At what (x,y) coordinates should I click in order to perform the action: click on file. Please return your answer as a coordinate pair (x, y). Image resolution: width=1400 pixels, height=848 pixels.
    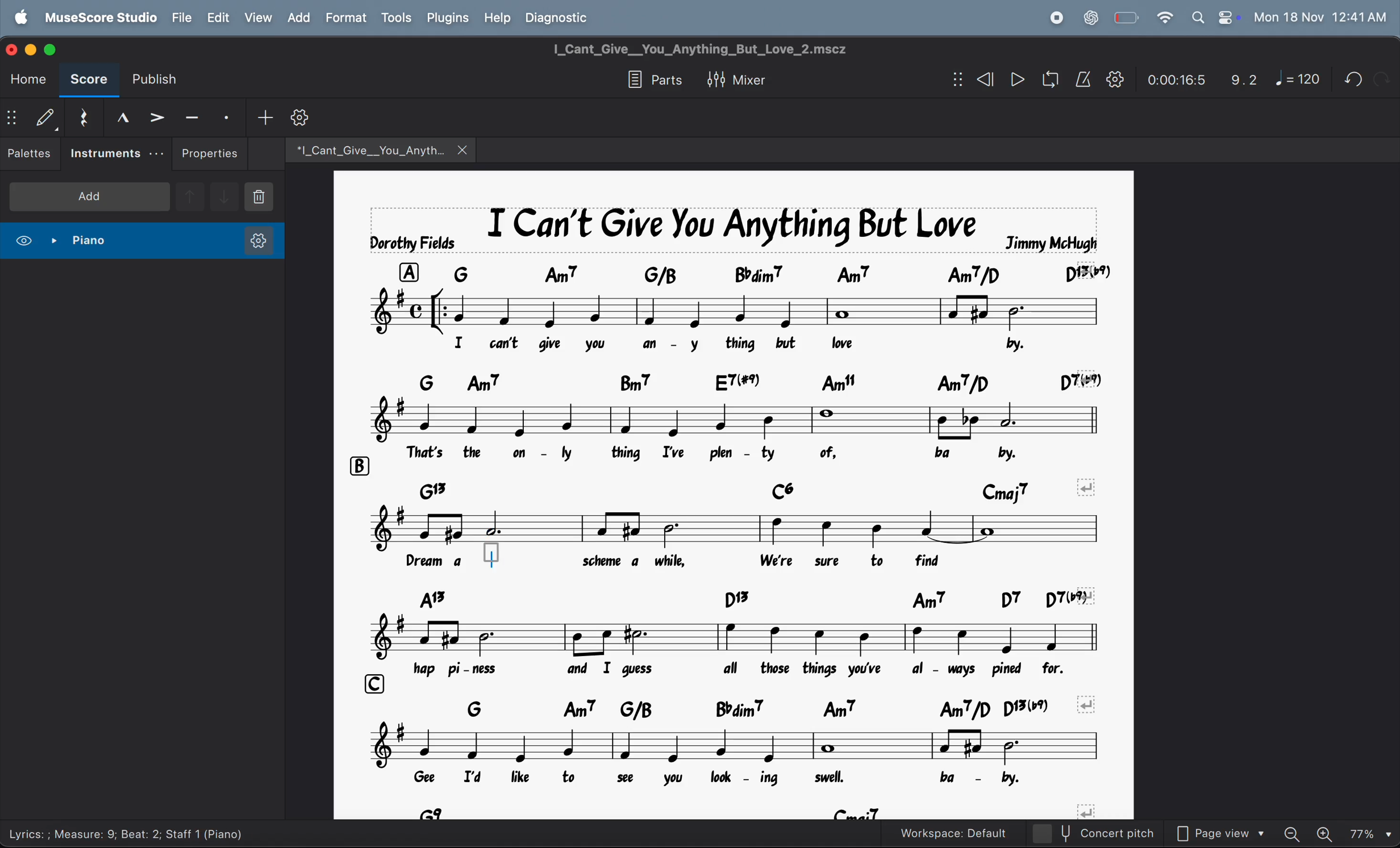
    Looking at the image, I should click on (181, 19).